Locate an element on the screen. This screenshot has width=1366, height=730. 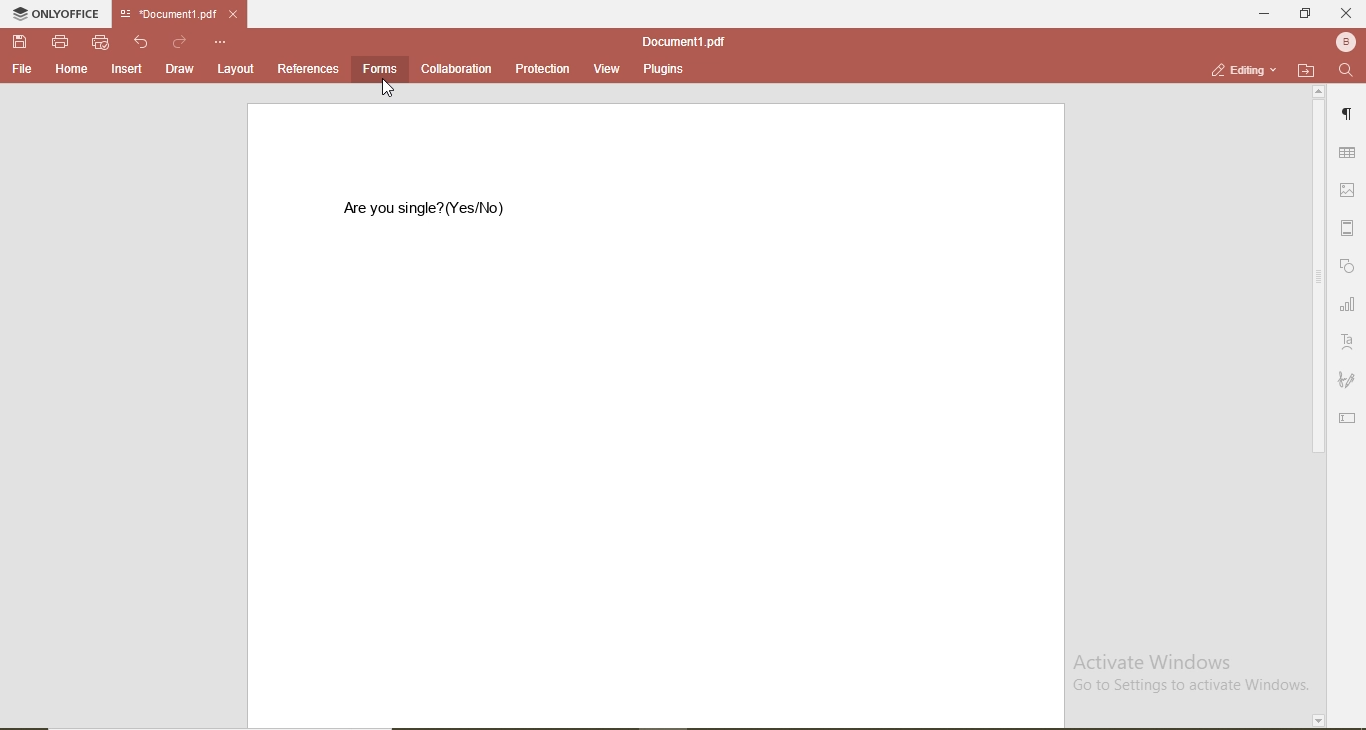
layout is located at coordinates (233, 69).